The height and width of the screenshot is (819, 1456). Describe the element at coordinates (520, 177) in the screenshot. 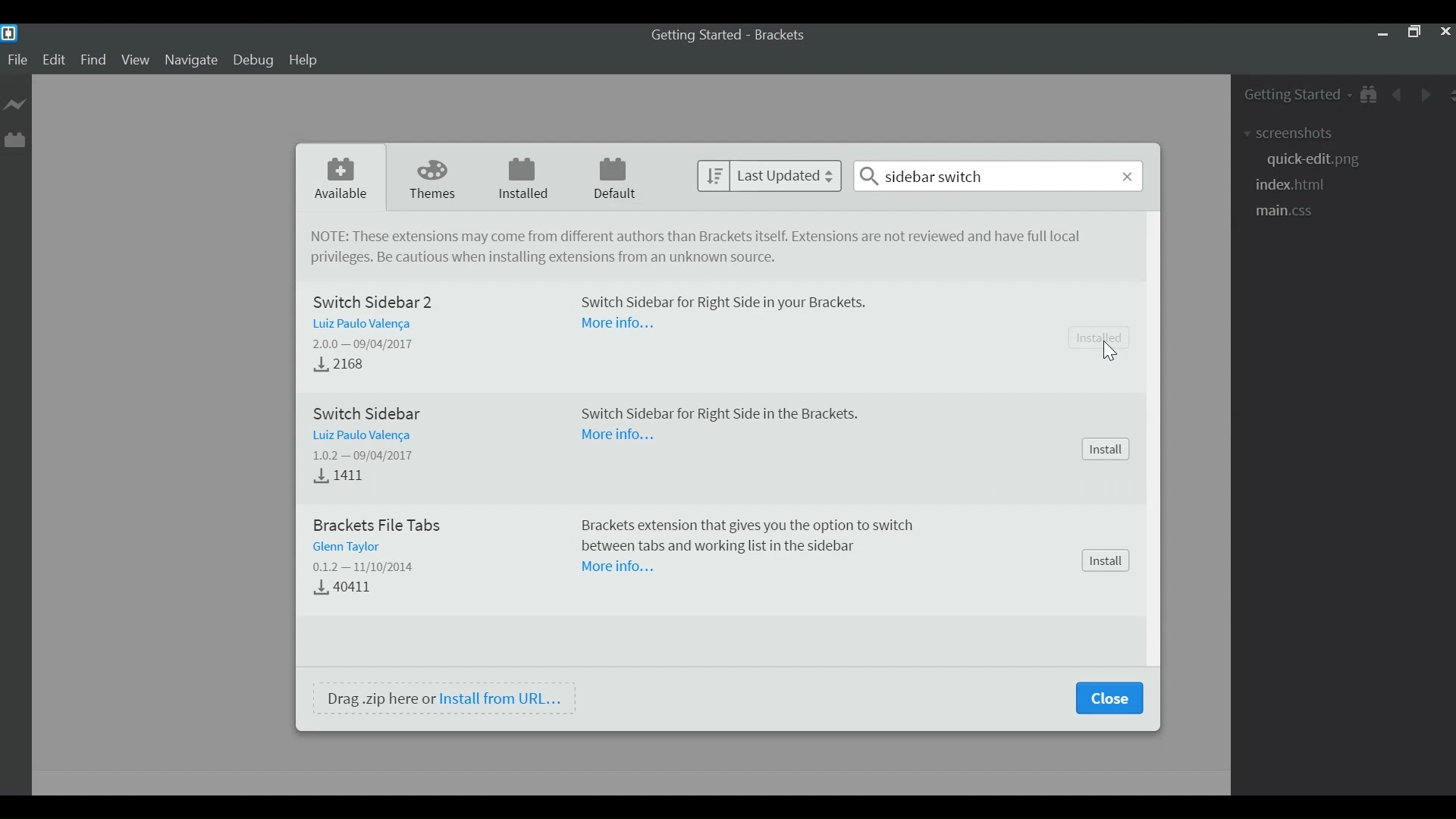

I see `Installed` at that location.